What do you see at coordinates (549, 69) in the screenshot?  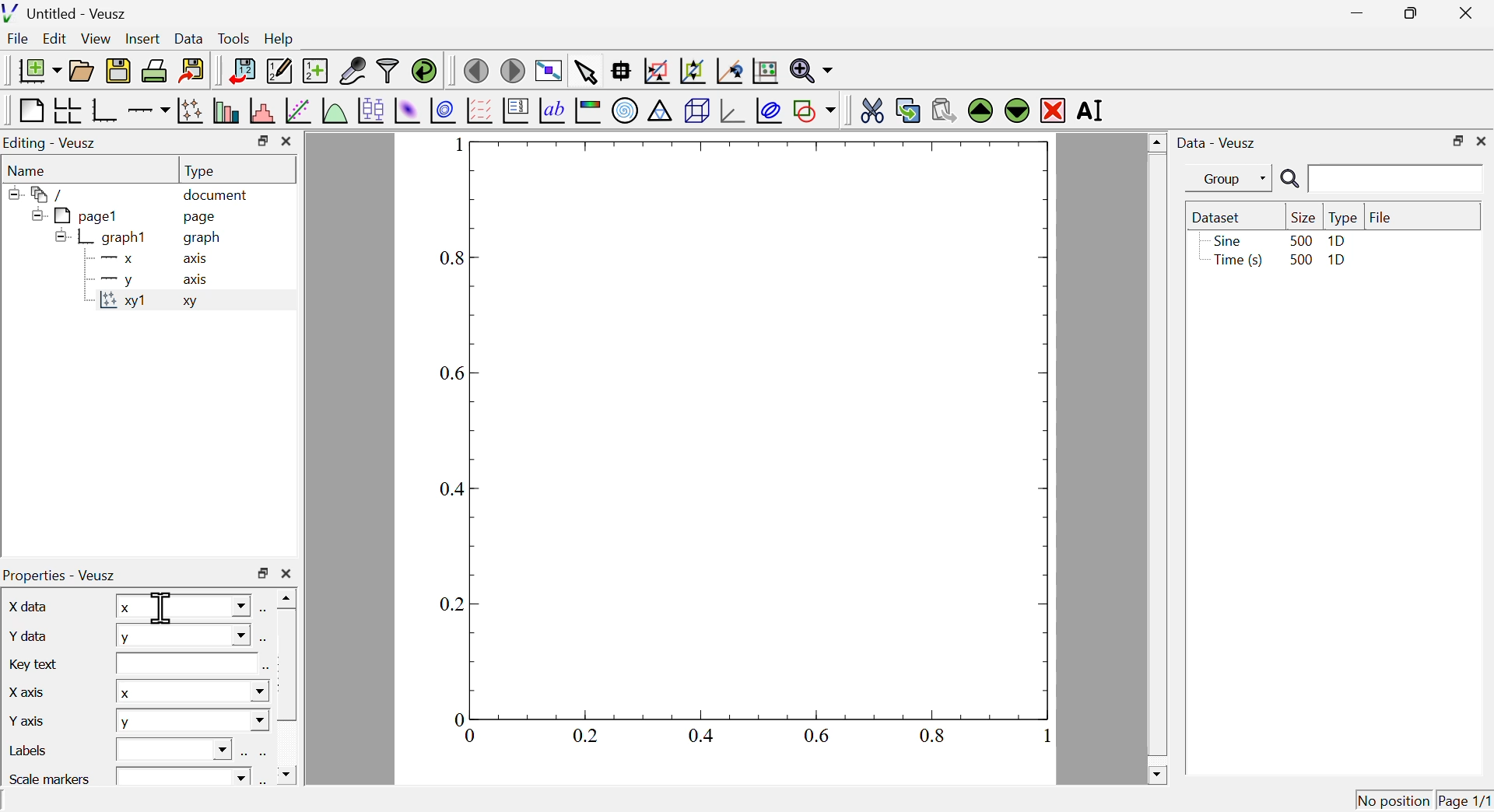 I see `view plot full screen` at bounding box center [549, 69].